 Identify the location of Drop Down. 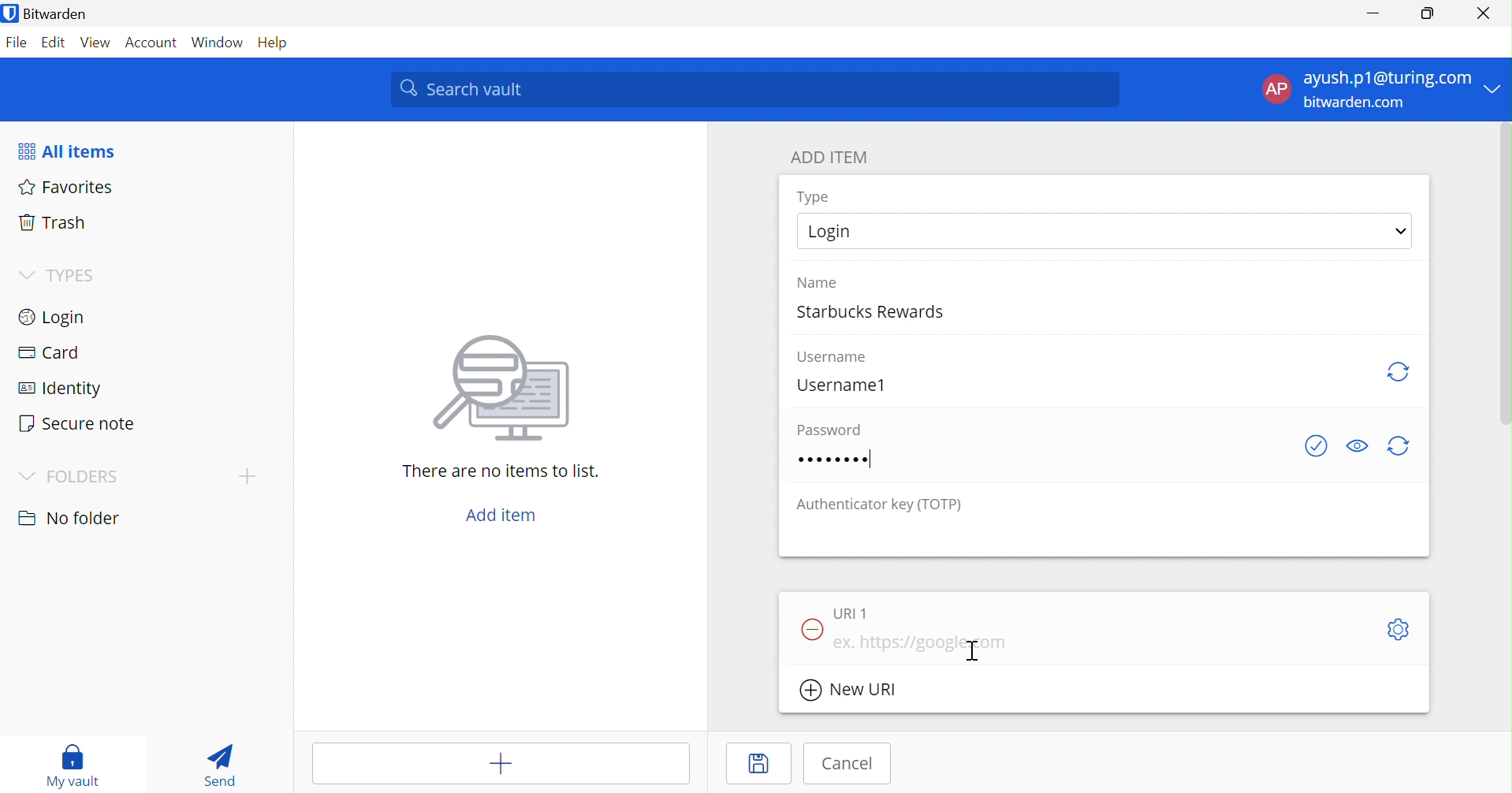
(246, 476).